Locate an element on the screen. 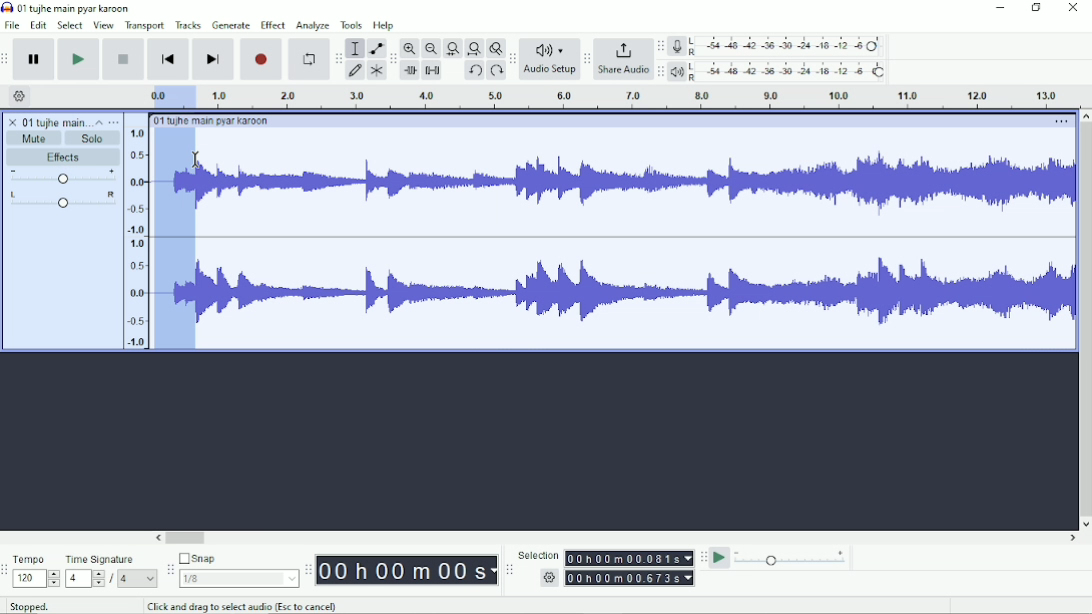 The width and height of the screenshot is (1092, 614). File is located at coordinates (14, 25).